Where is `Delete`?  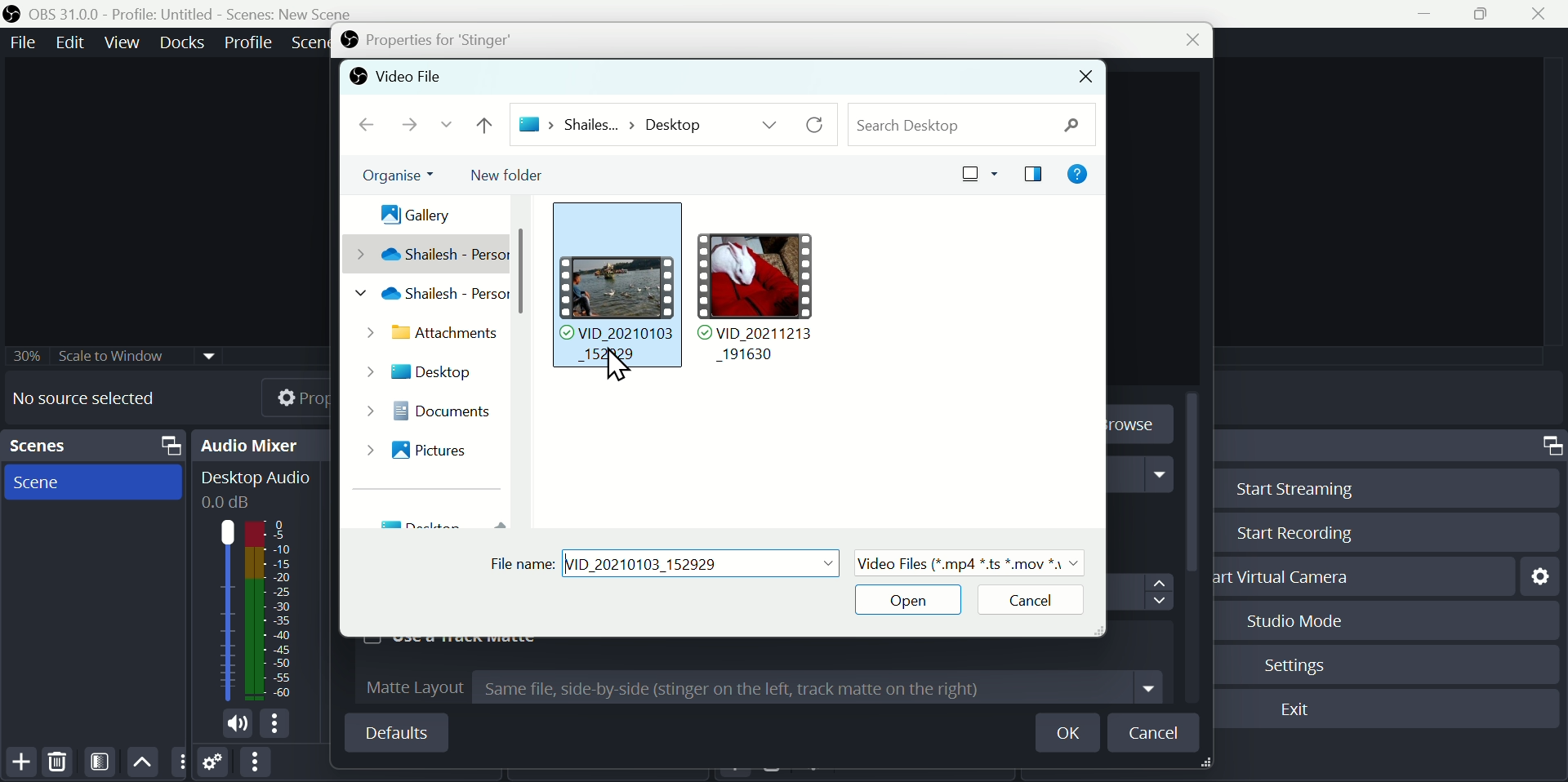
Delete is located at coordinates (56, 761).